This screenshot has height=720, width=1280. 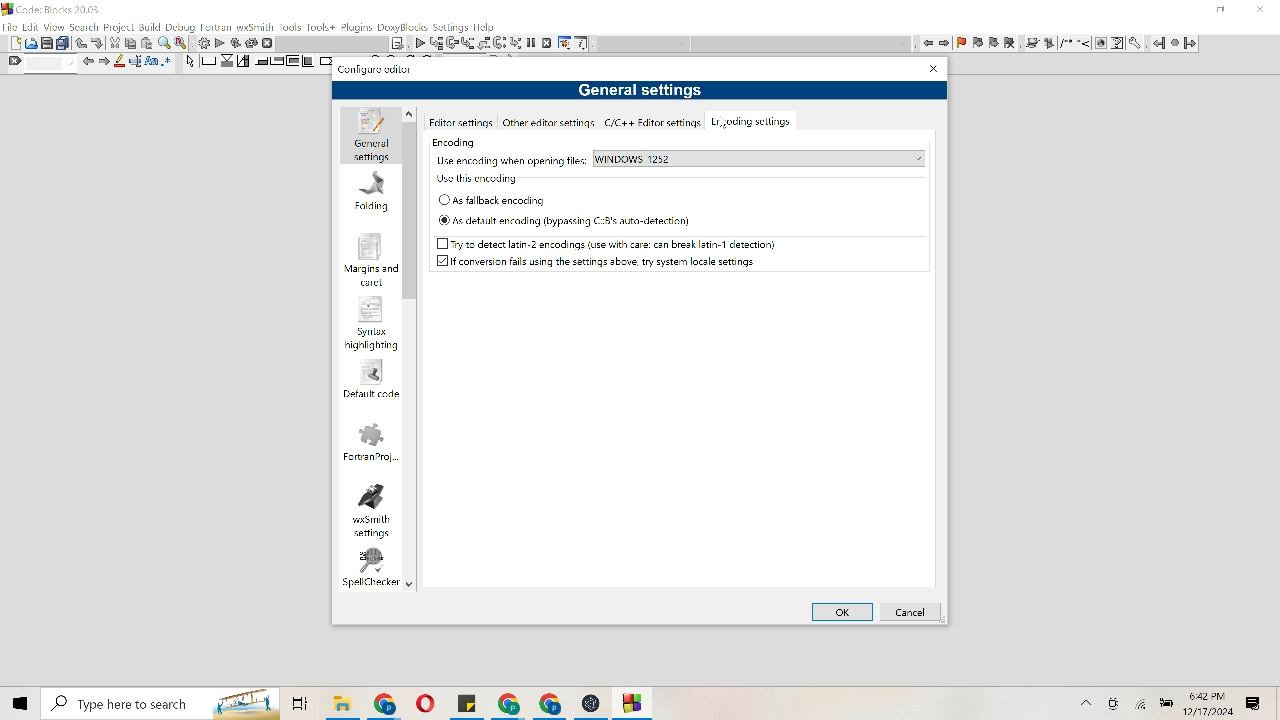 What do you see at coordinates (652, 122) in the screenshot?
I see `c/c ++ Editor settings` at bounding box center [652, 122].